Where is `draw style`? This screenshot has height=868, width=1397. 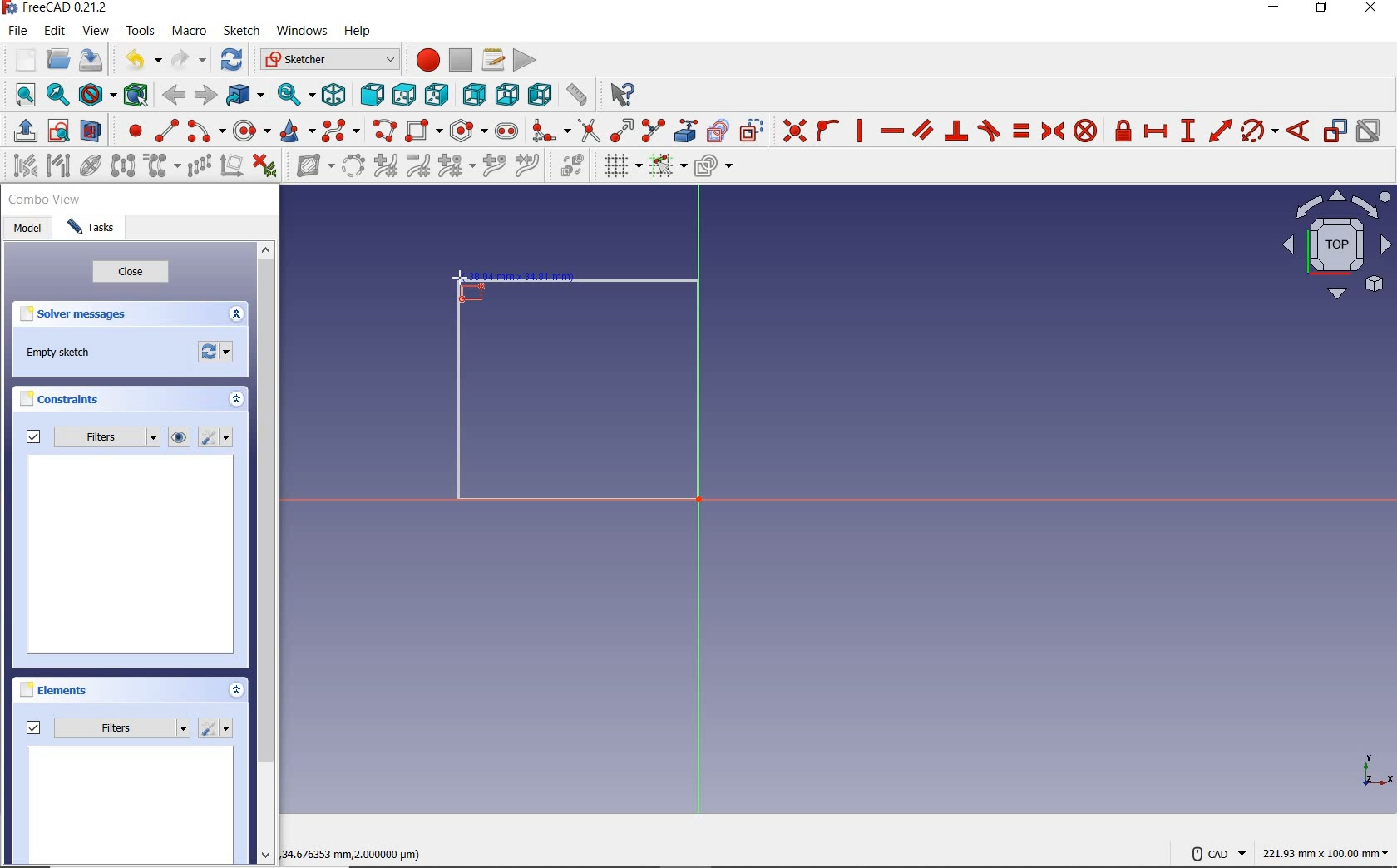
draw style is located at coordinates (96, 94).